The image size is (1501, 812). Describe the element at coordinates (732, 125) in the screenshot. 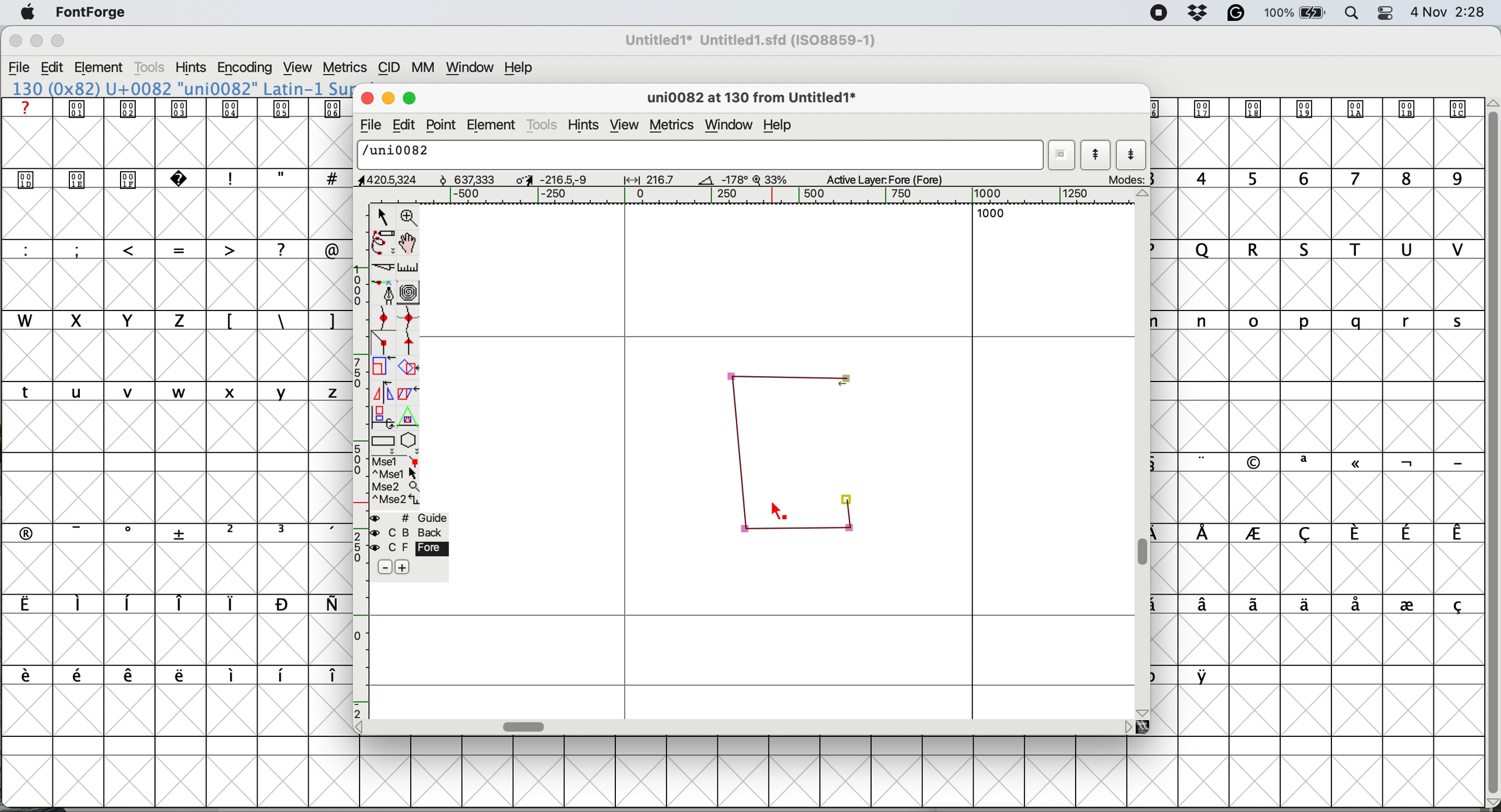

I see `window` at that location.